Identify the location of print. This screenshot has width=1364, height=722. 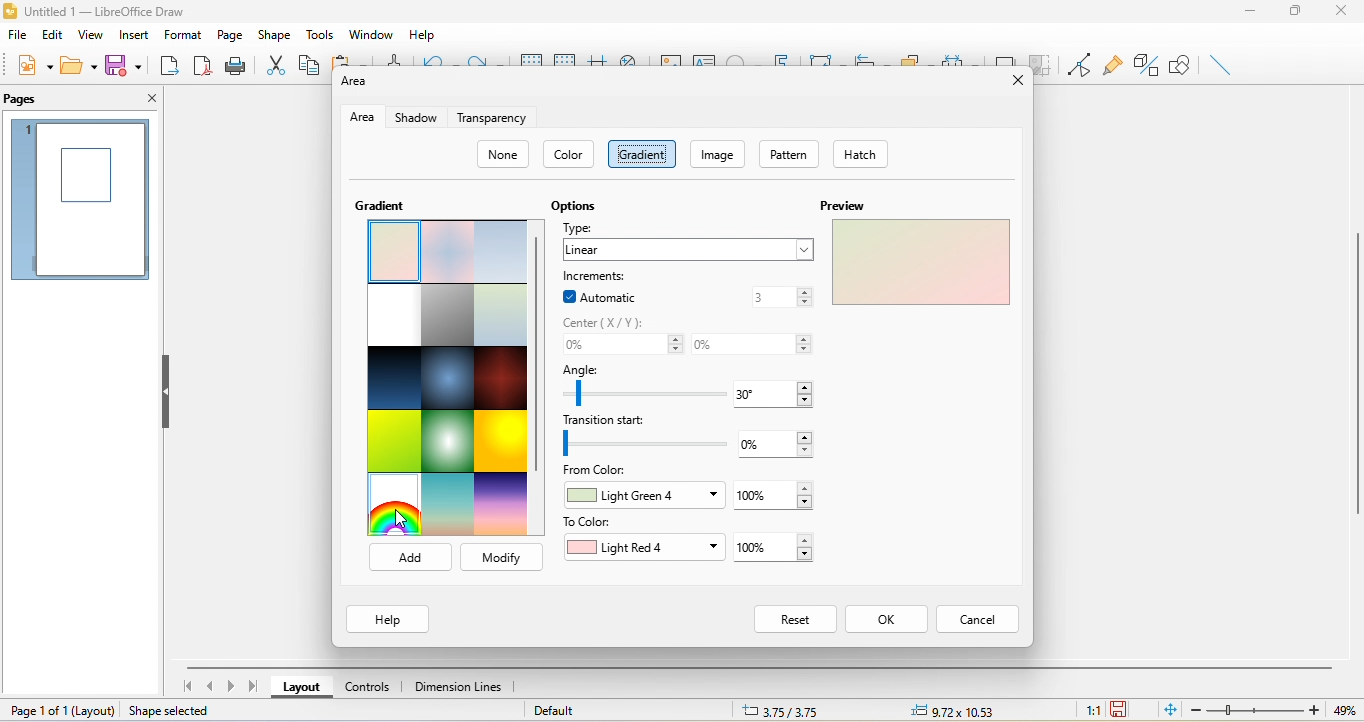
(236, 68).